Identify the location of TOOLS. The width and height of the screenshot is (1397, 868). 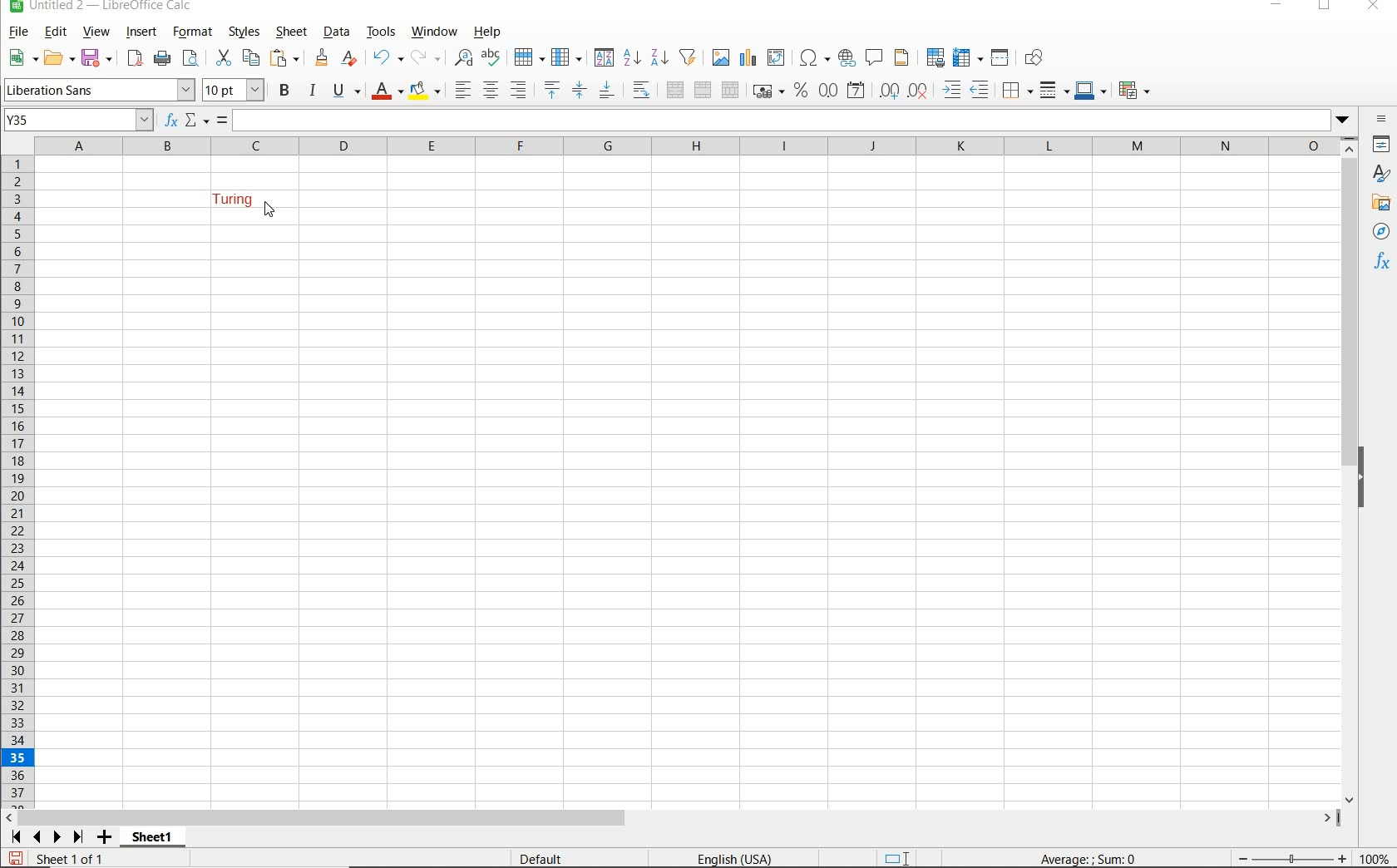
(379, 32).